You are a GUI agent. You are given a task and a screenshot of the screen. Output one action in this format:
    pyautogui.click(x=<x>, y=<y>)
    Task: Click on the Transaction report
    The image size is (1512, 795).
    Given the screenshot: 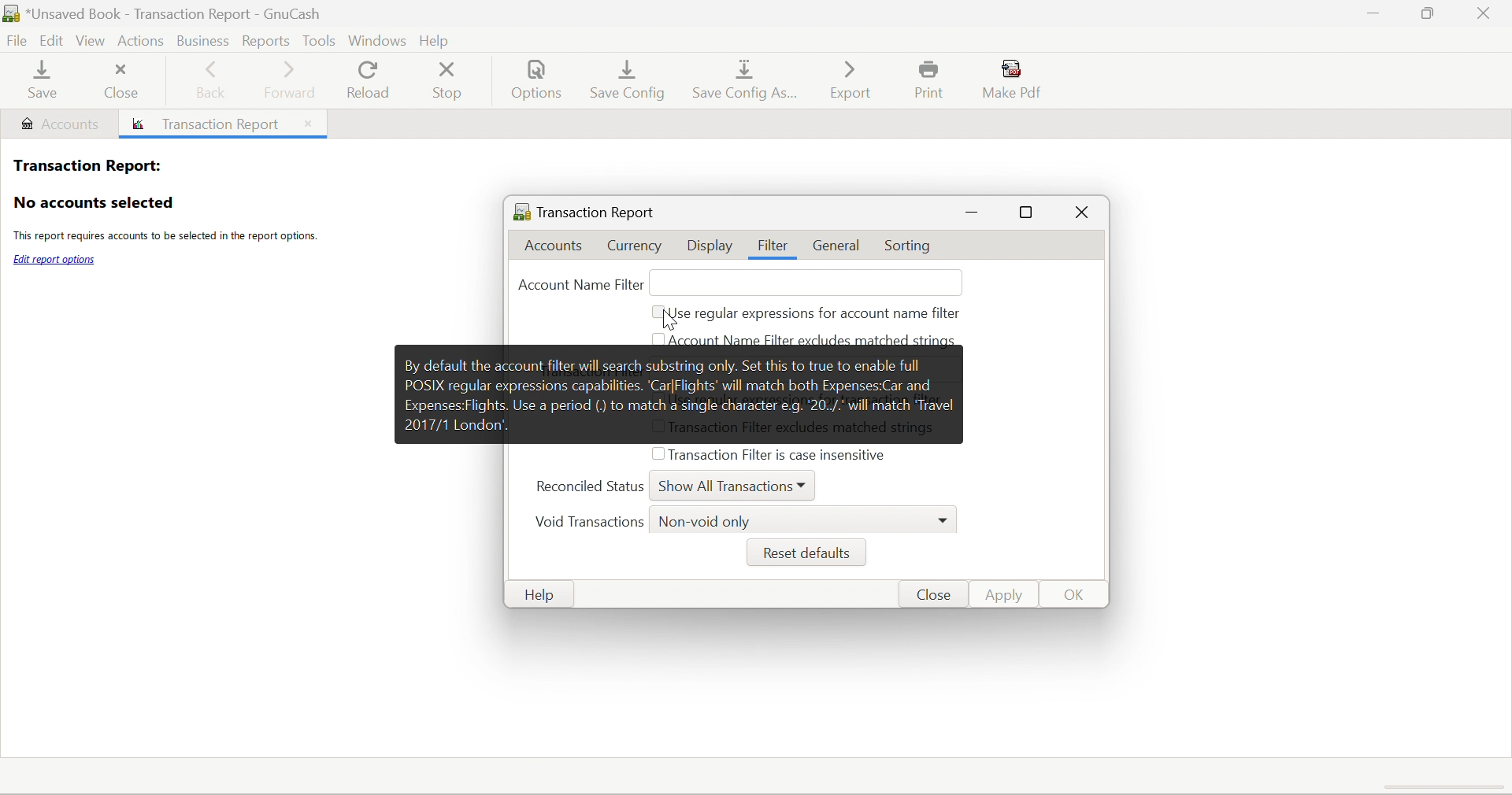 What is the action you would take?
    pyautogui.click(x=210, y=125)
    